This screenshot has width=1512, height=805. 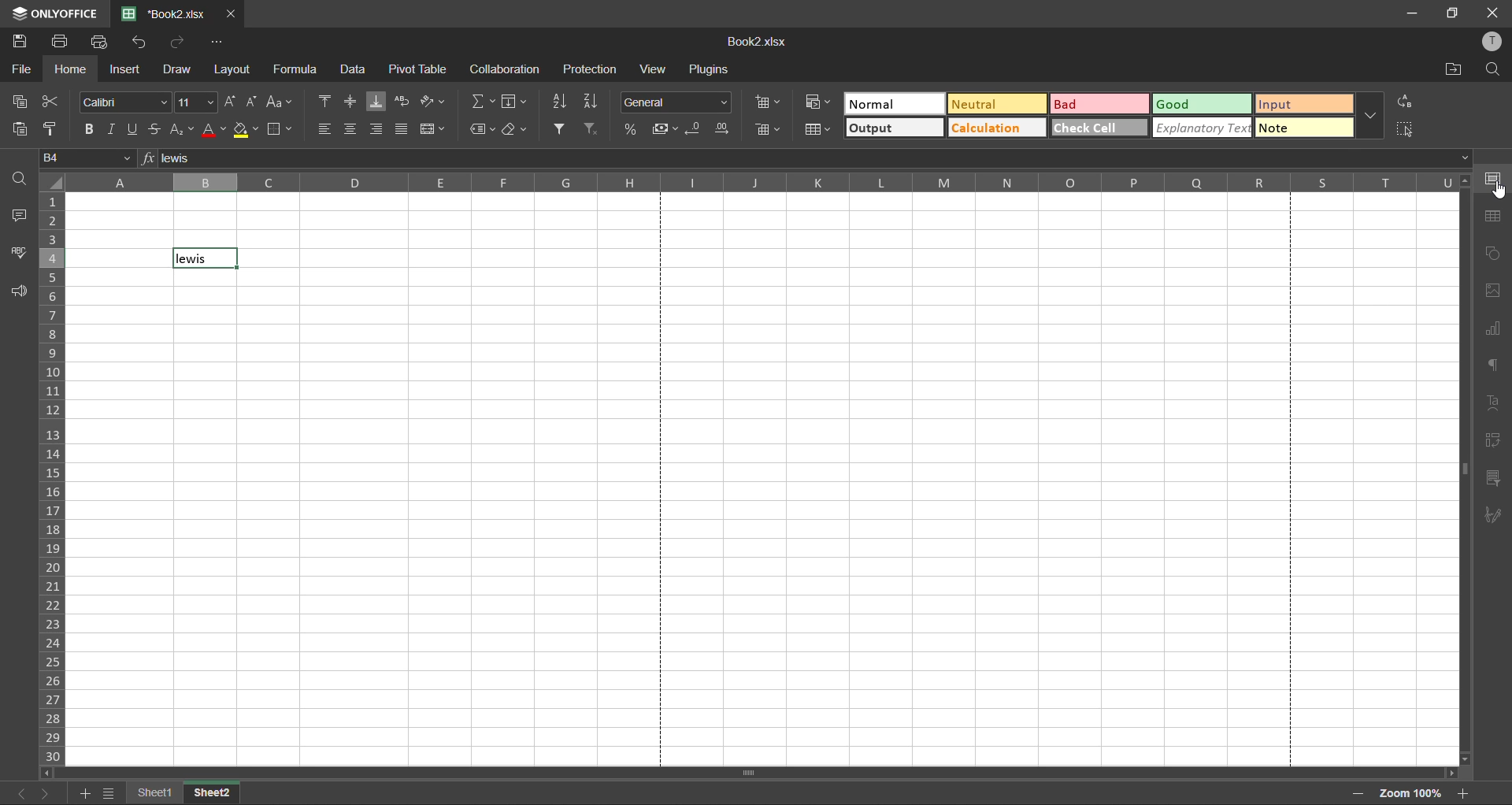 What do you see at coordinates (1097, 104) in the screenshot?
I see `bad` at bounding box center [1097, 104].